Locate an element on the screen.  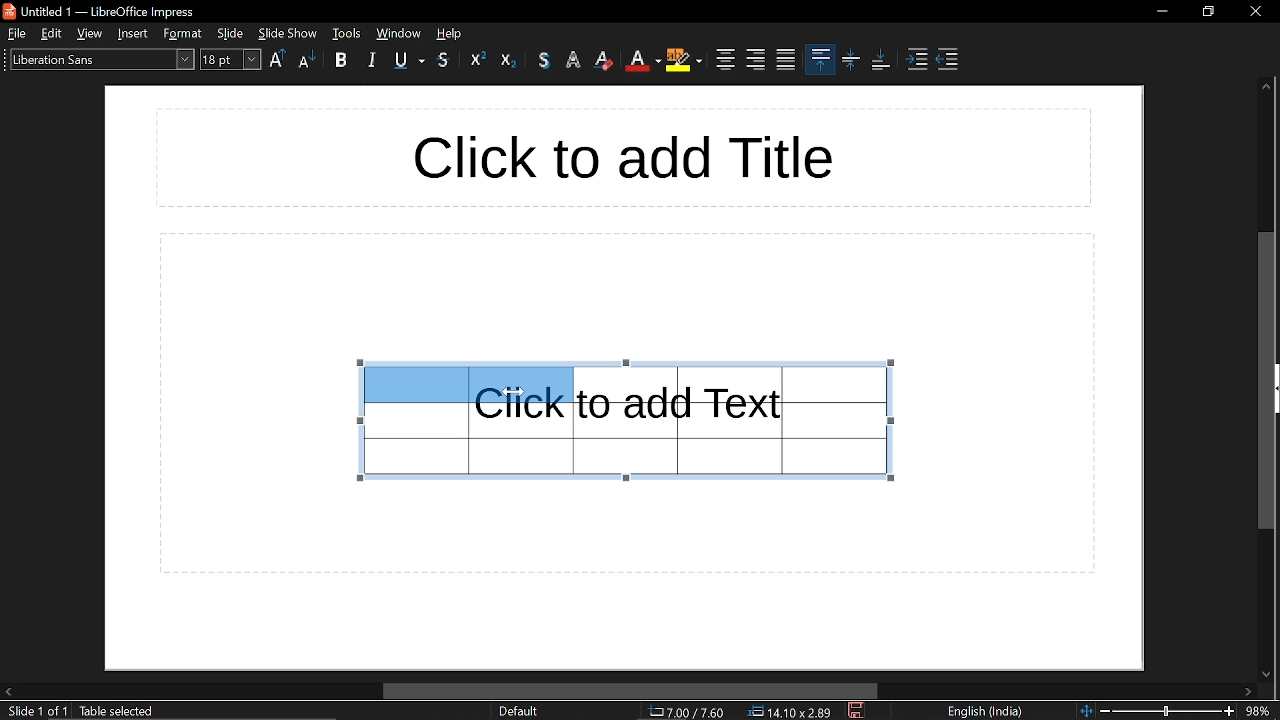
file is located at coordinates (15, 33).